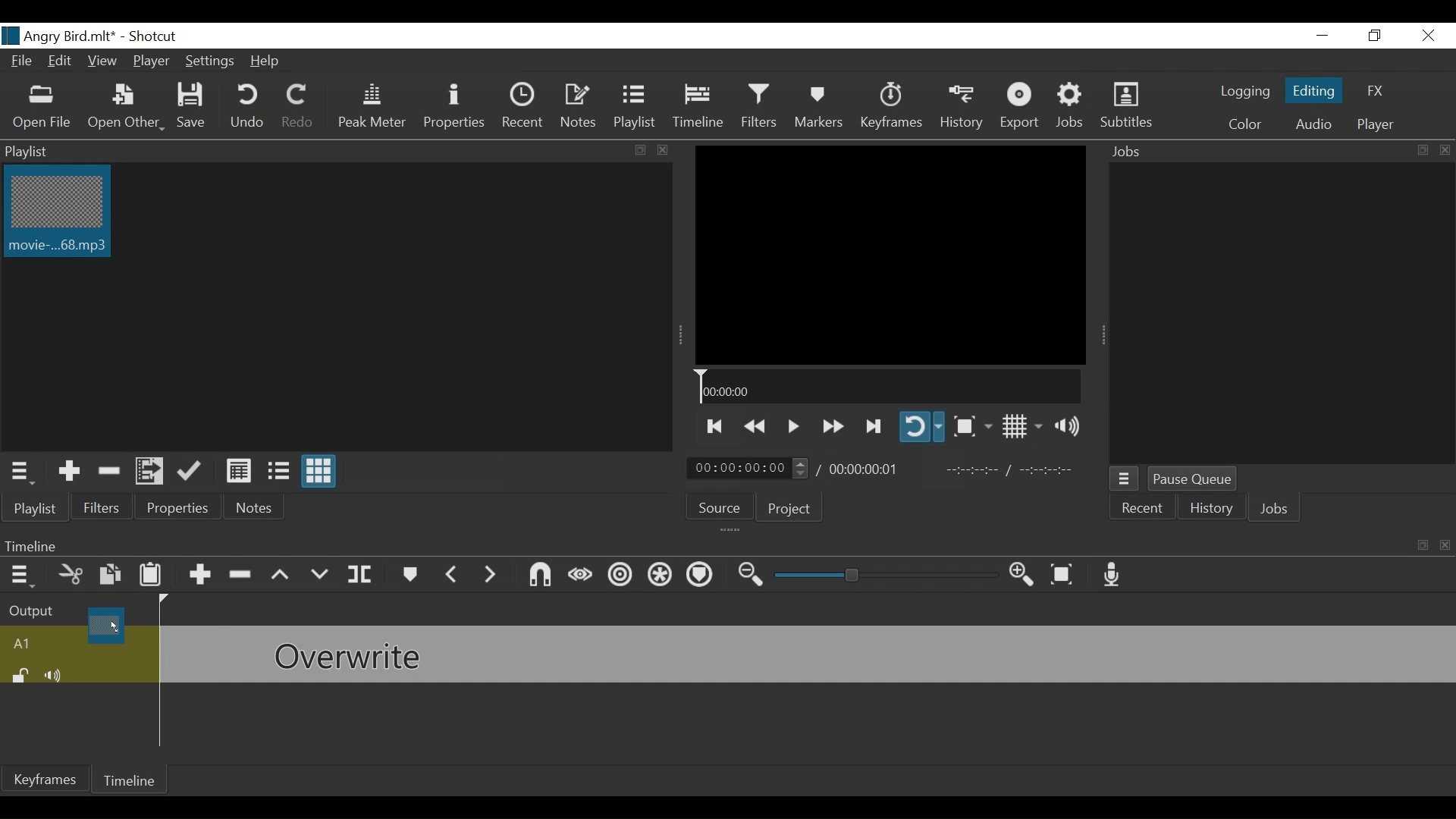 This screenshot has width=1456, height=819. What do you see at coordinates (110, 472) in the screenshot?
I see `Remove Cut` at bounding box center [110, 472].